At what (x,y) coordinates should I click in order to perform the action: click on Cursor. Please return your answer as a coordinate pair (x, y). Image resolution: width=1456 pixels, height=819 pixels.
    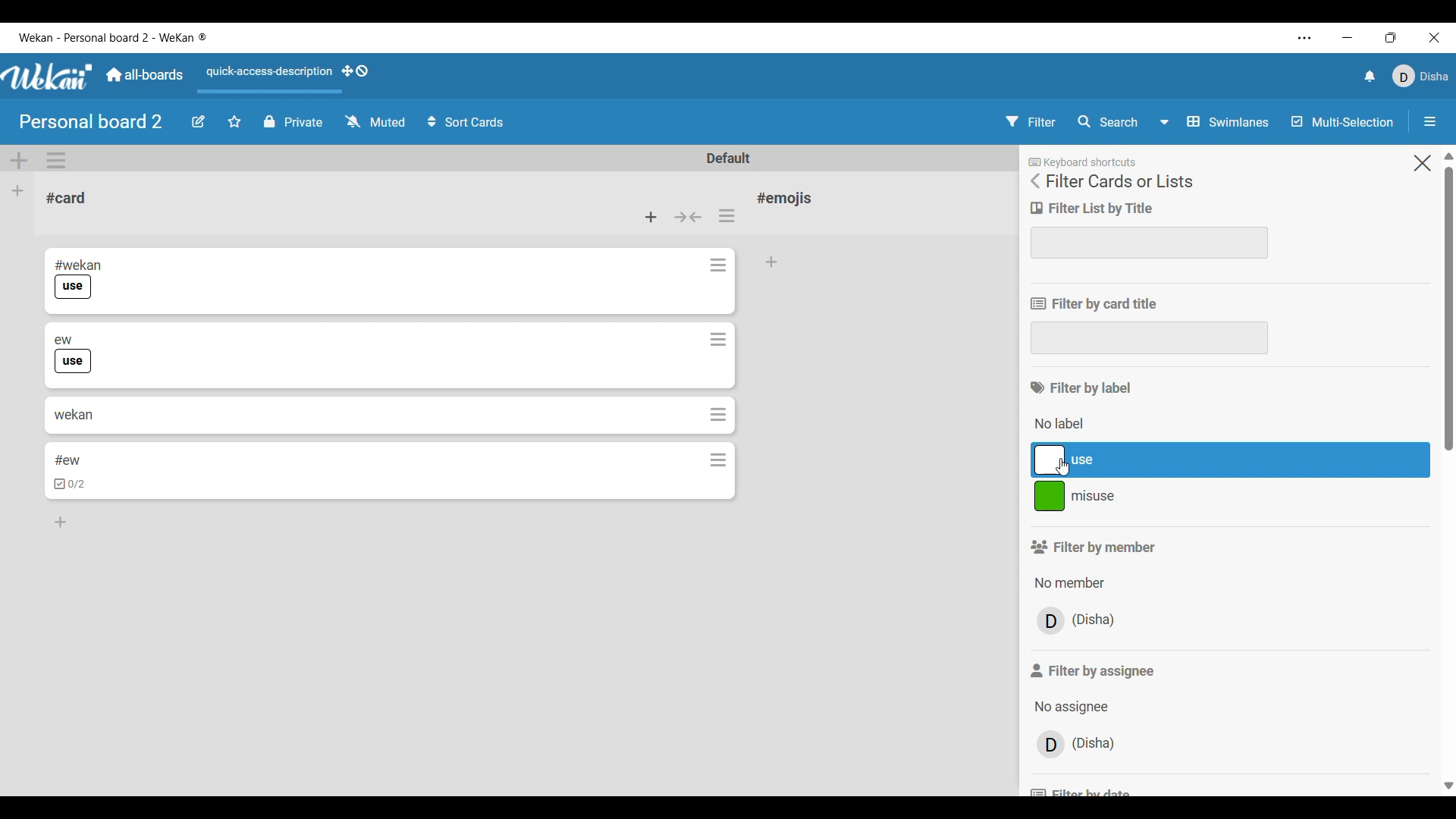
    Looking at the image, I should click on (1066, 469).